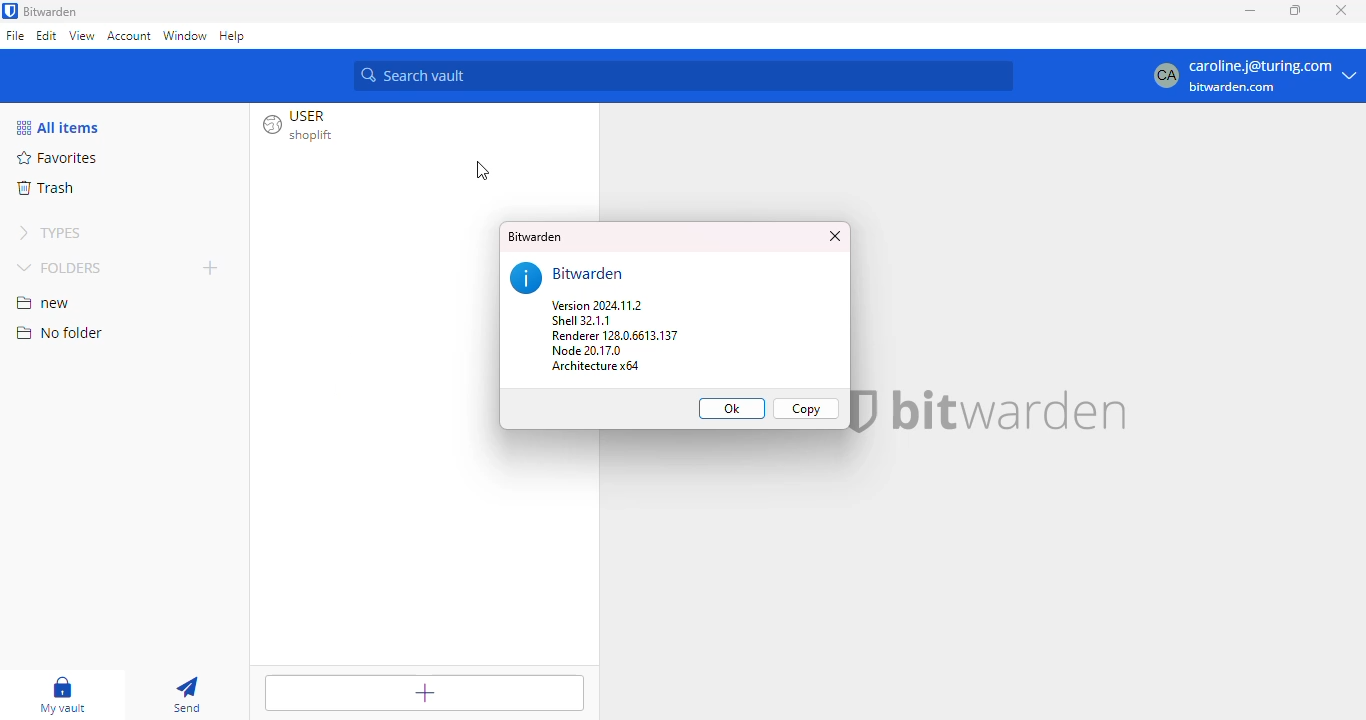 This screenshot has width=1366, height=720. I want to click on close, so click(1341, 10).